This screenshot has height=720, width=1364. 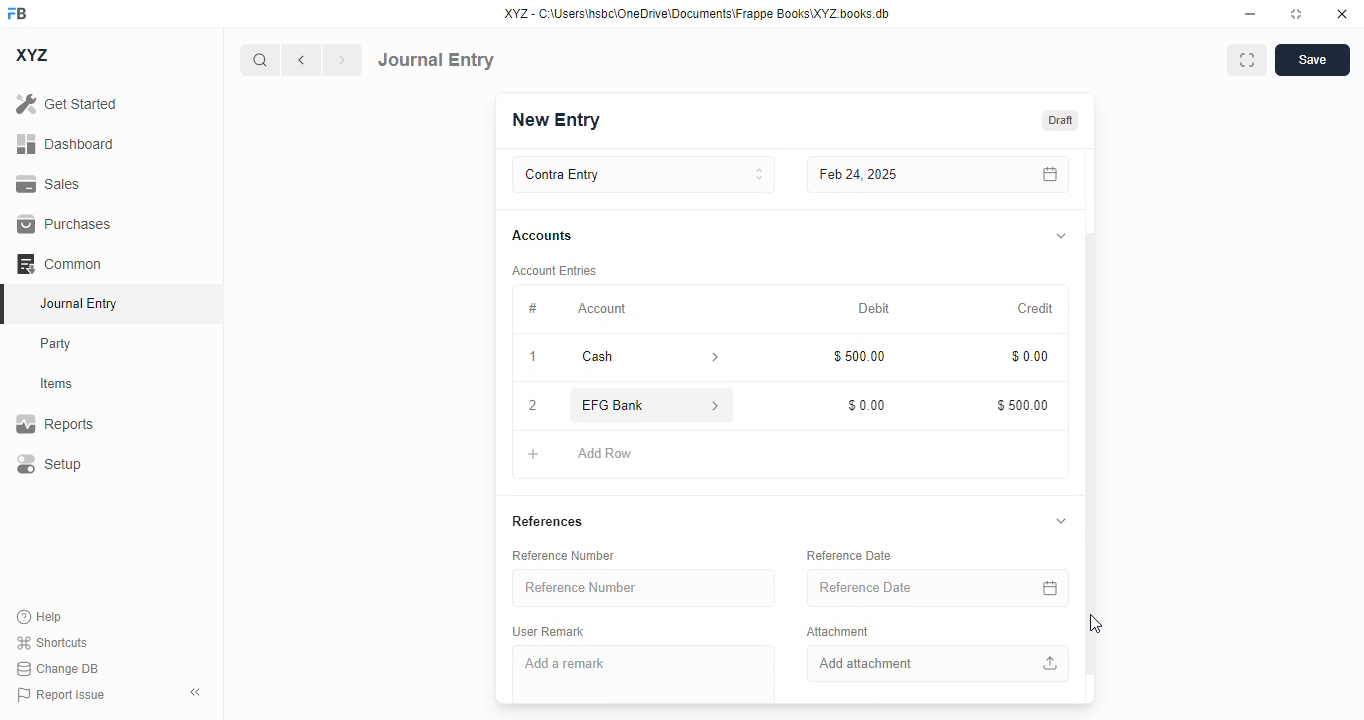 What do you see at coordinates (1061, 237) in the screenshot?
I see `toggle expand/collapse` at bounding box center [1061, 237].